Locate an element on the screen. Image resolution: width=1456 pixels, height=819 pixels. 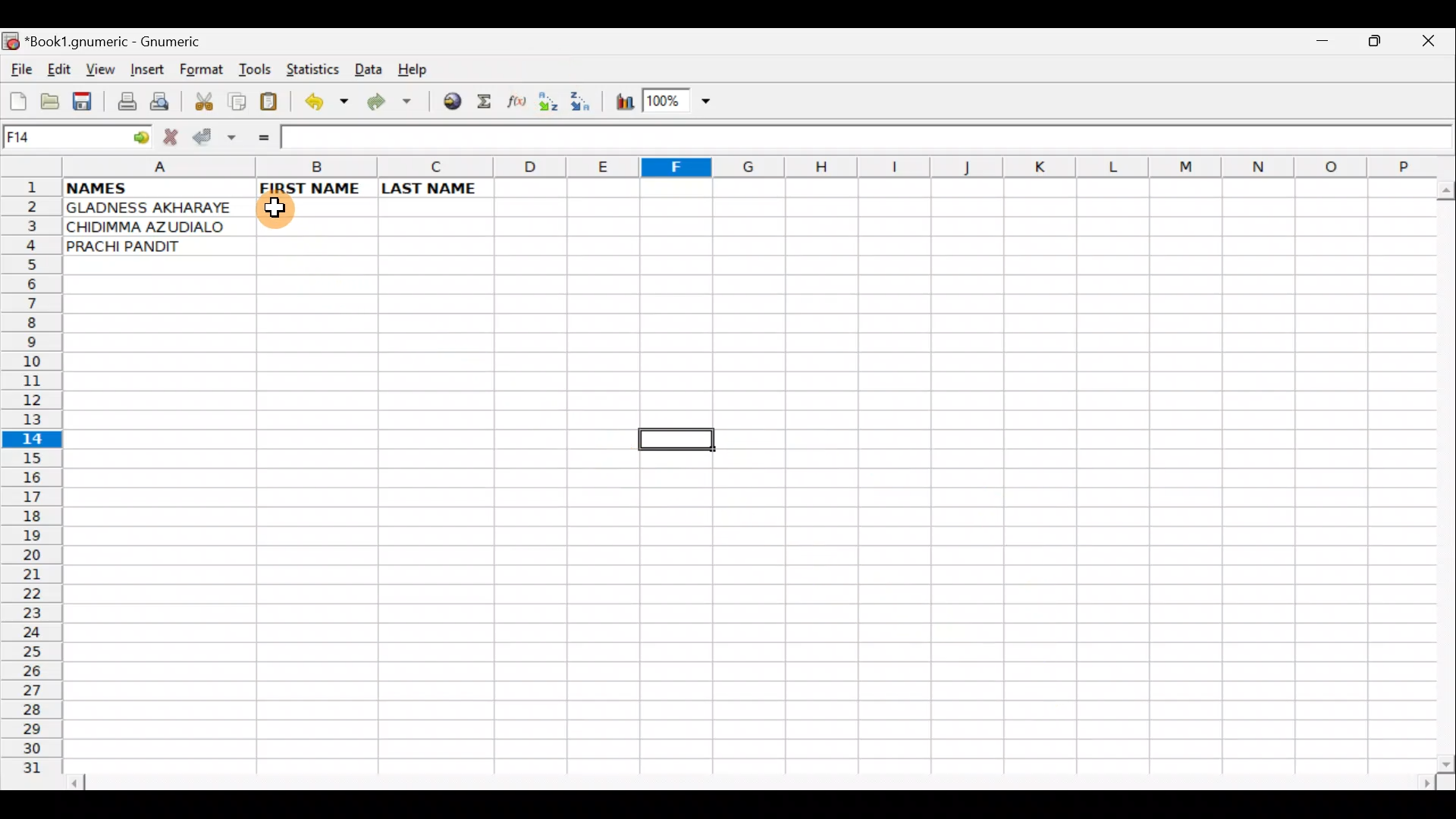
File is located at coordinates (20, 71).